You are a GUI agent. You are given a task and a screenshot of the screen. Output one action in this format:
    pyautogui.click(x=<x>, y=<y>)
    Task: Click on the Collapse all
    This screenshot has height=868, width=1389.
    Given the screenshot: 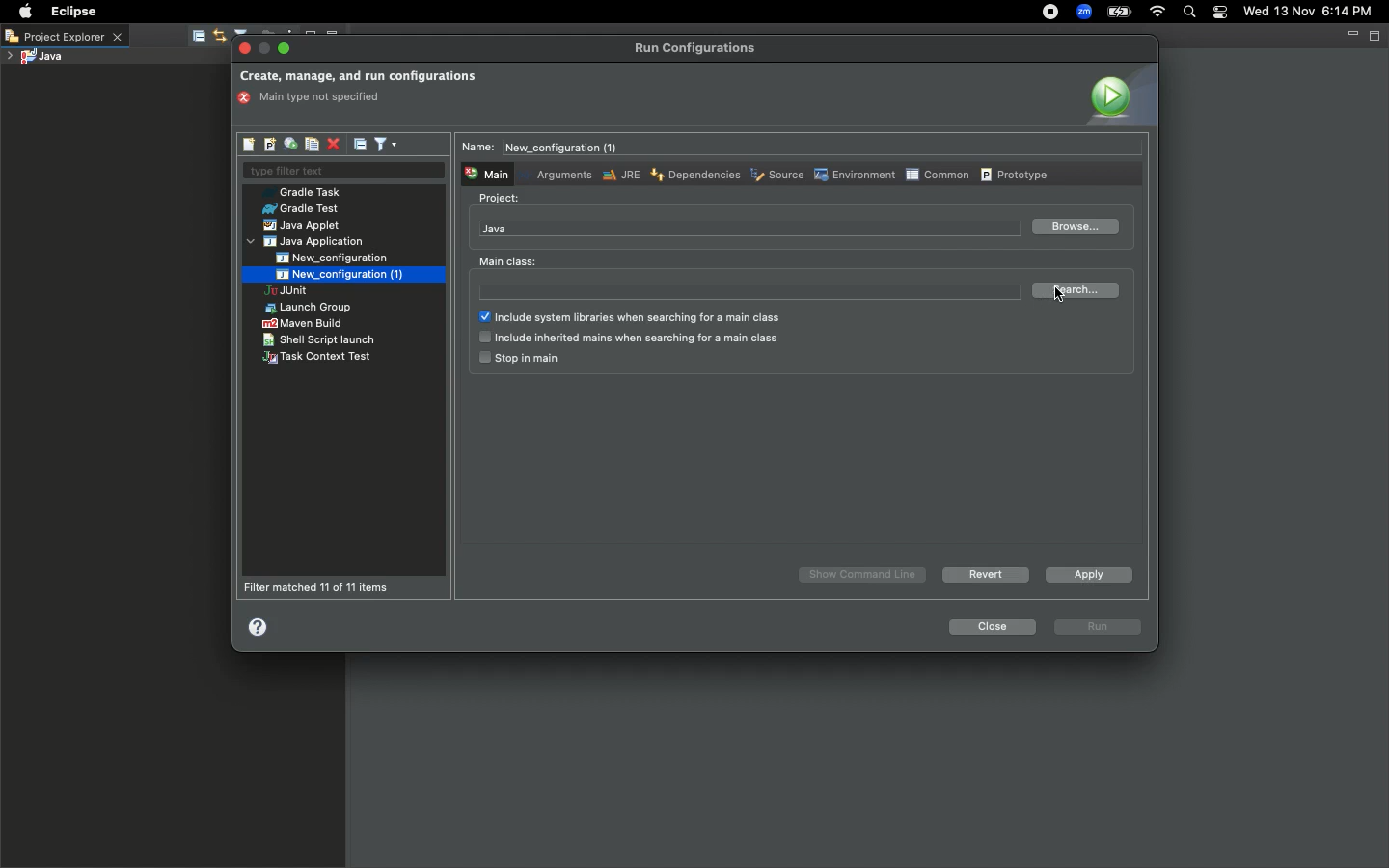 What is the action you would take?
    pyautogui.click(x=361, y=144)
    